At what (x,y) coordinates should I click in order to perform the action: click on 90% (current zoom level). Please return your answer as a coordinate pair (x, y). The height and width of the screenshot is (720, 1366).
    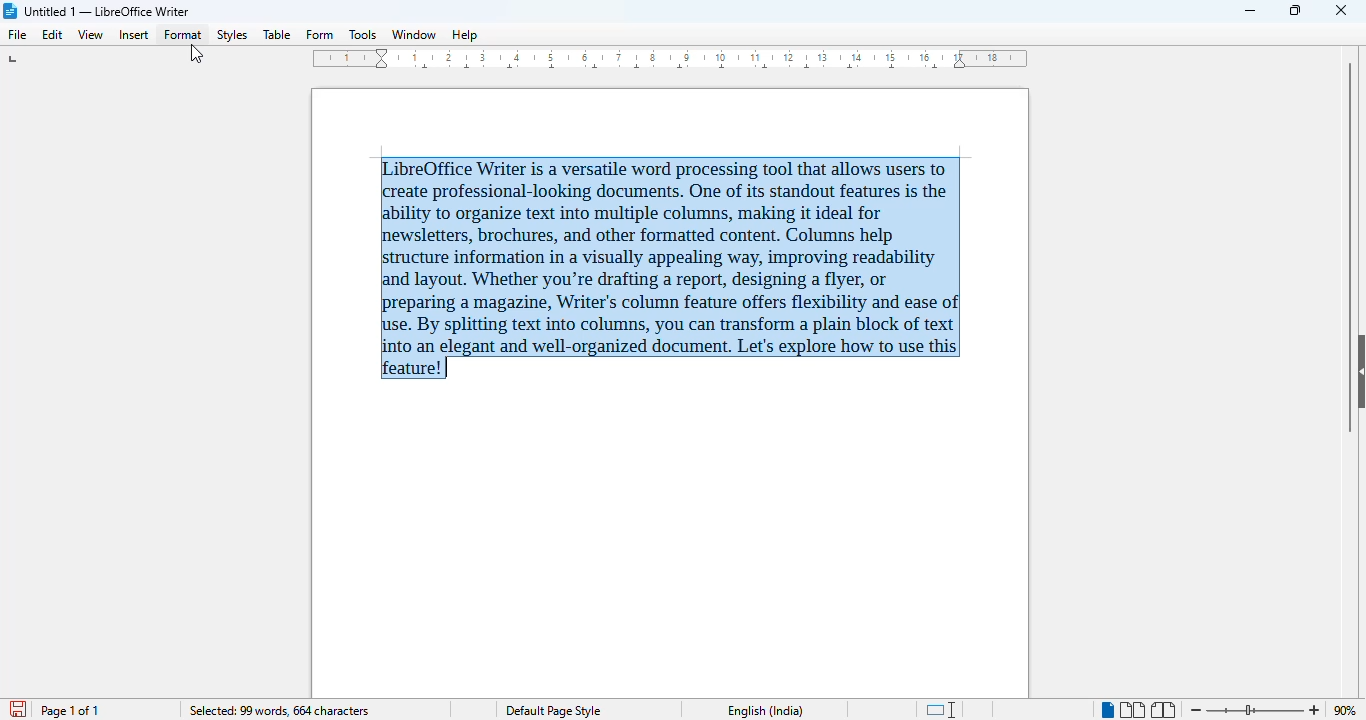
    Looking at the image, I should click on (1349, 708).